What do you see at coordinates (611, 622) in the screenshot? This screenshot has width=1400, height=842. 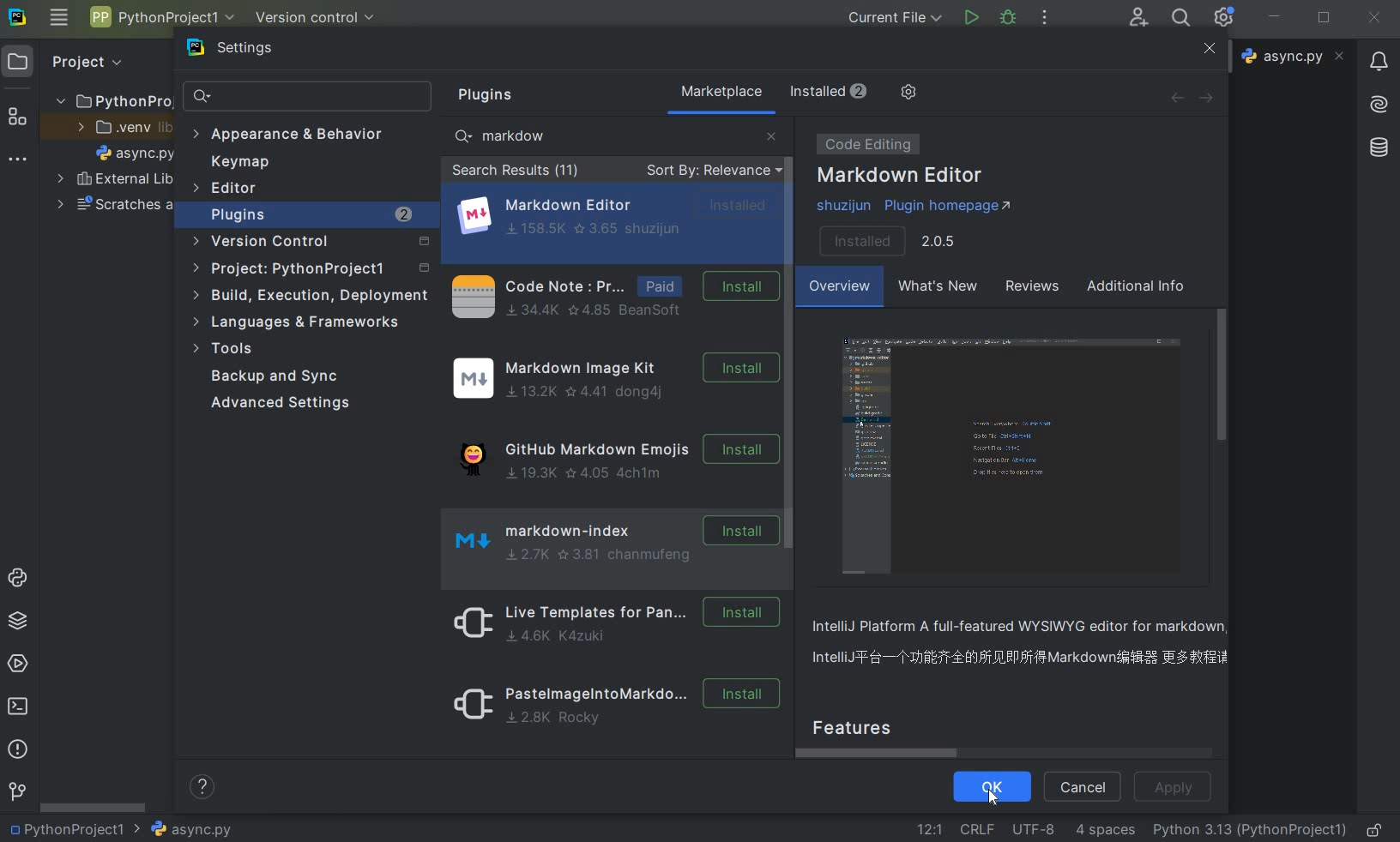 I see `live template for pan` at bounding box center [611, 622].